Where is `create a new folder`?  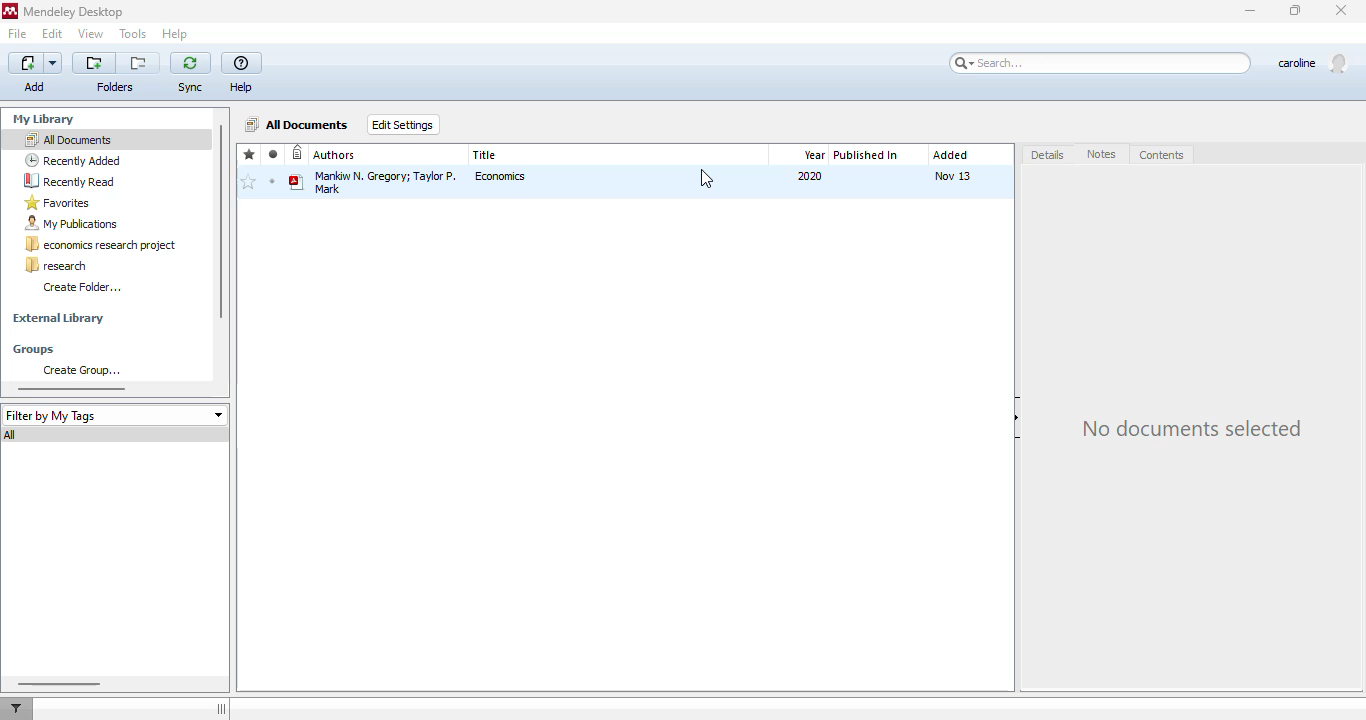 create a new folder is located at coordinates (94, 63).